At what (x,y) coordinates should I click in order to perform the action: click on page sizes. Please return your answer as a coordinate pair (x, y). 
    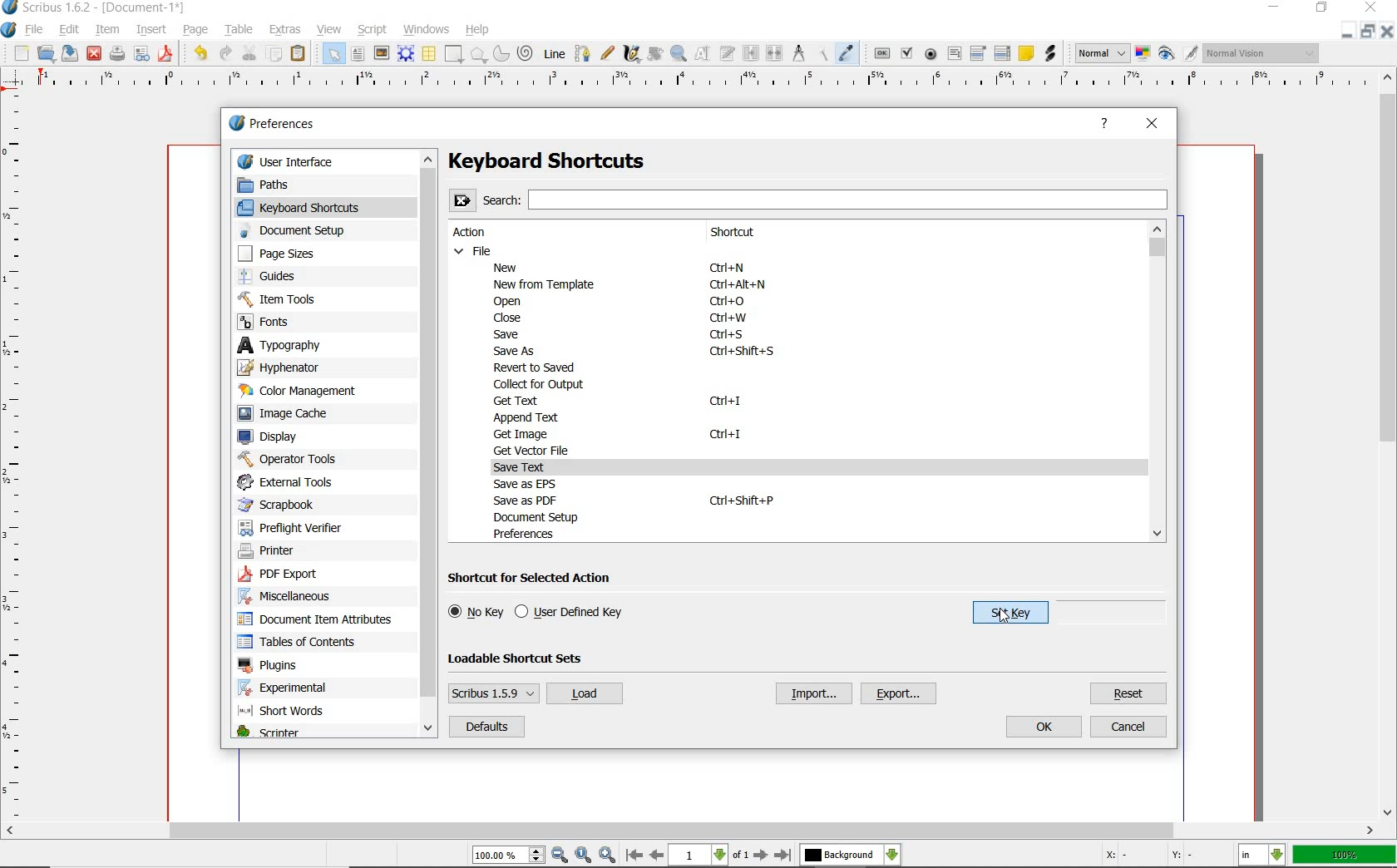
    Looking at the image, I should click on (289, 254).